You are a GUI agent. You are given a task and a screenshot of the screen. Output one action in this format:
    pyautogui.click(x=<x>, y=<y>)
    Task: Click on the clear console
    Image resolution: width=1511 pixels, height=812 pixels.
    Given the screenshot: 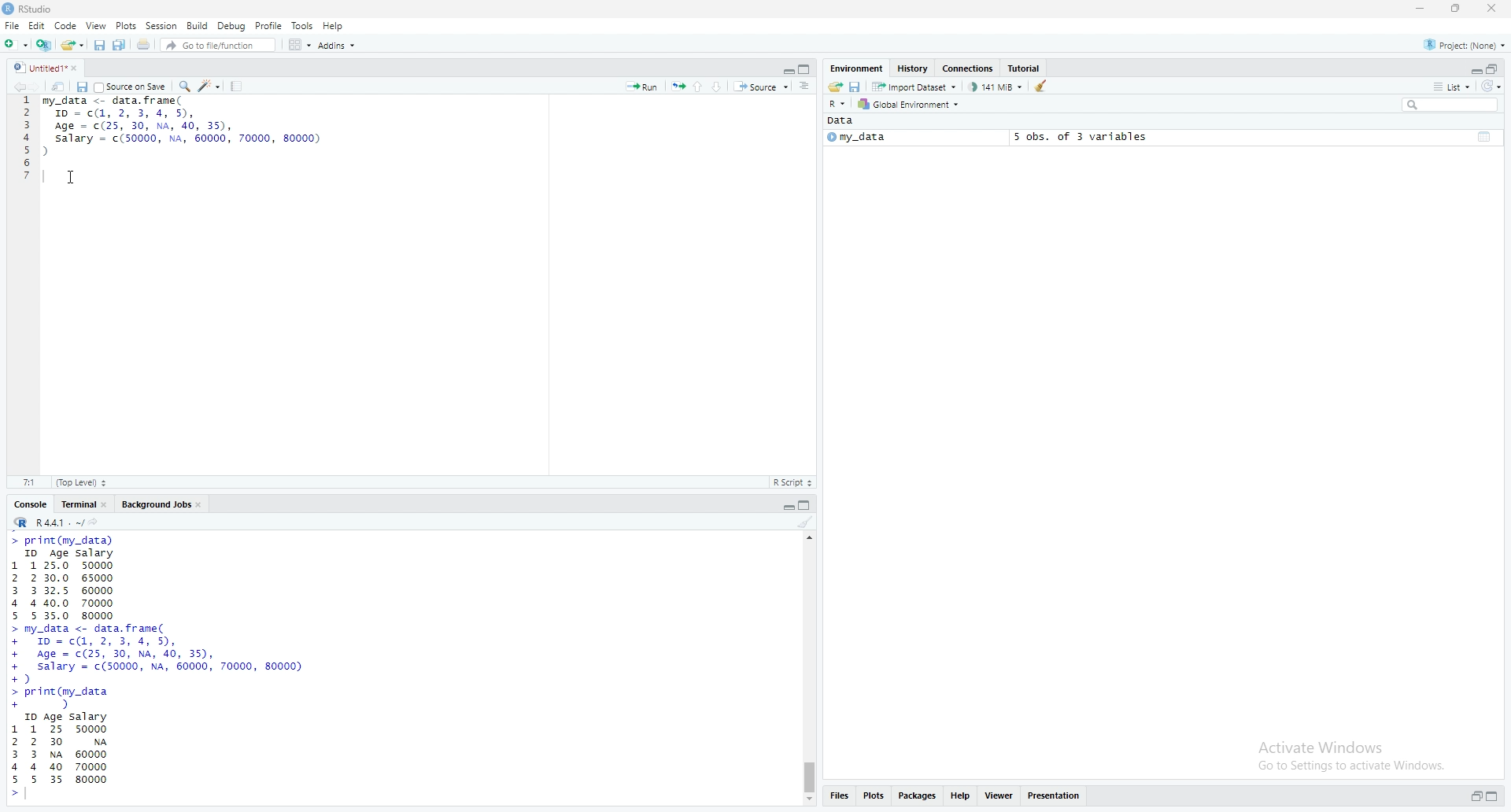 What is the action you would take?
    pyautogui.click(x=807, y=523)
    